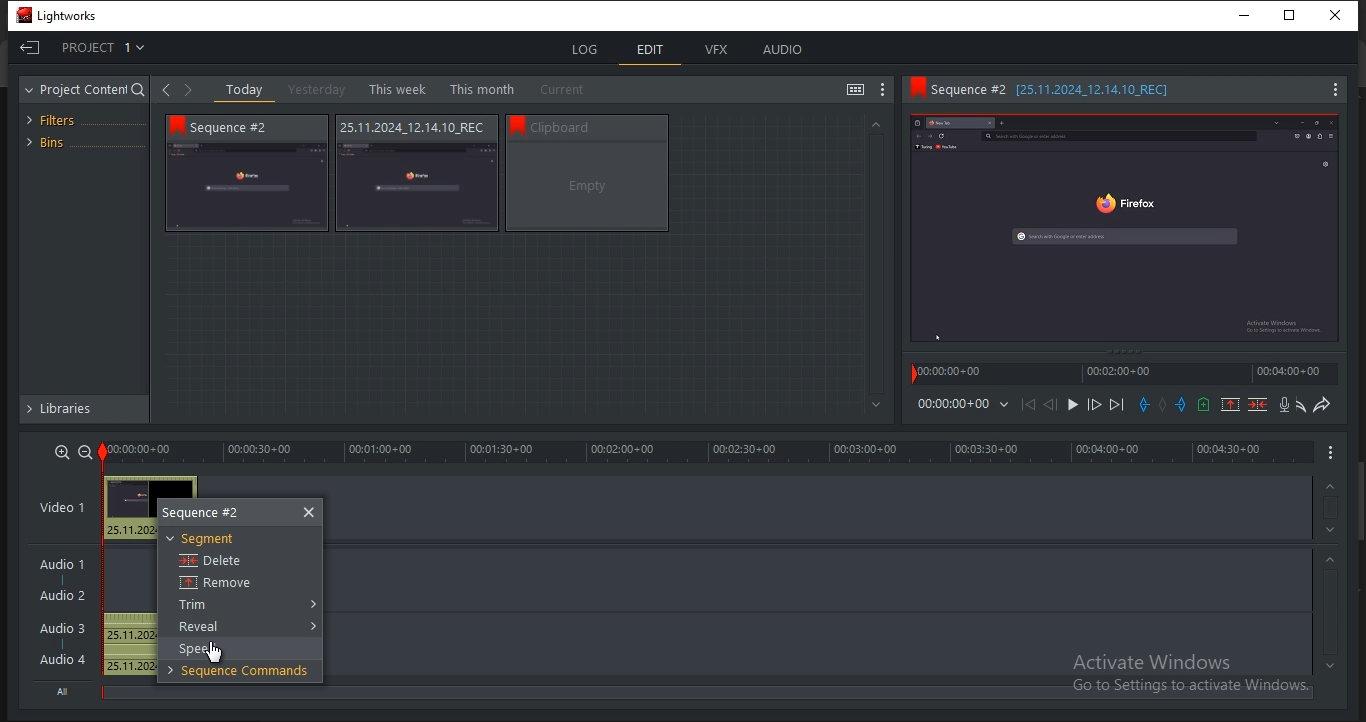 The height and width of the screenshot is (722, 1366). What do you see at coordinates (916, 90) in the screenshot?
I see `Bookmark` at bounding box center [916, 90].